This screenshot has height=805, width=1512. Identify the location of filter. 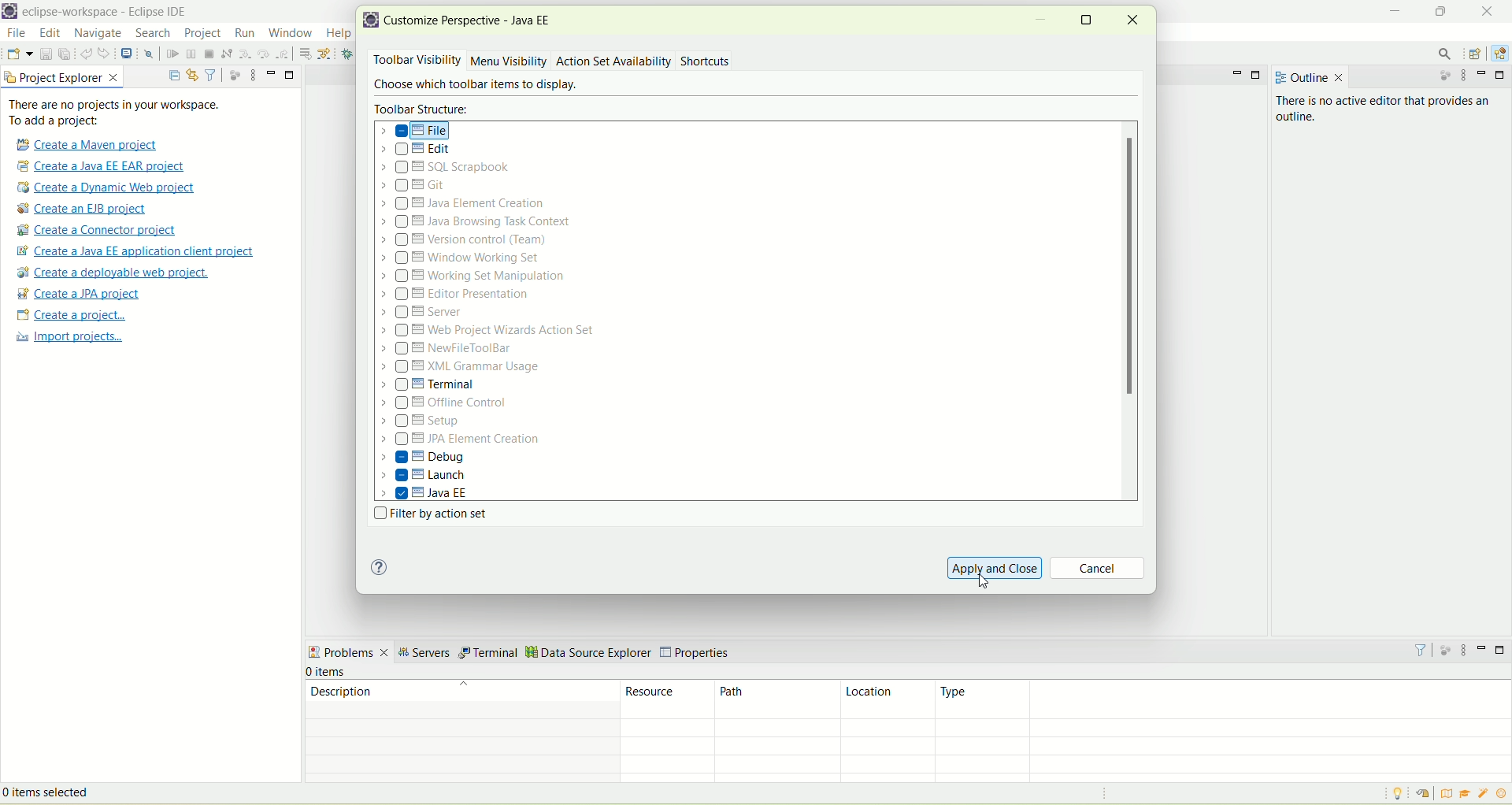
(1421, 649).